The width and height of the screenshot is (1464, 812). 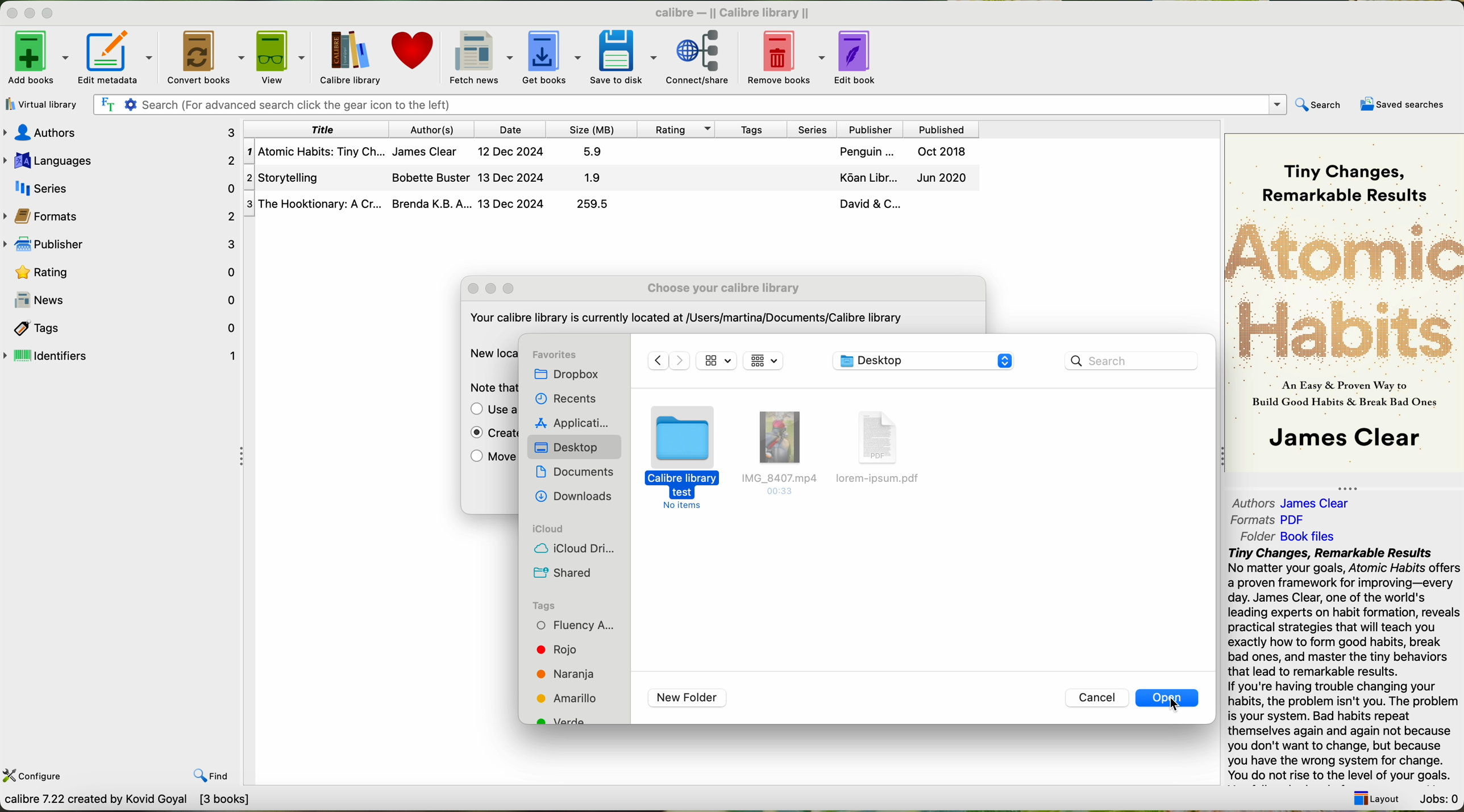 I want to click on new location, so click(x=490, y=353).